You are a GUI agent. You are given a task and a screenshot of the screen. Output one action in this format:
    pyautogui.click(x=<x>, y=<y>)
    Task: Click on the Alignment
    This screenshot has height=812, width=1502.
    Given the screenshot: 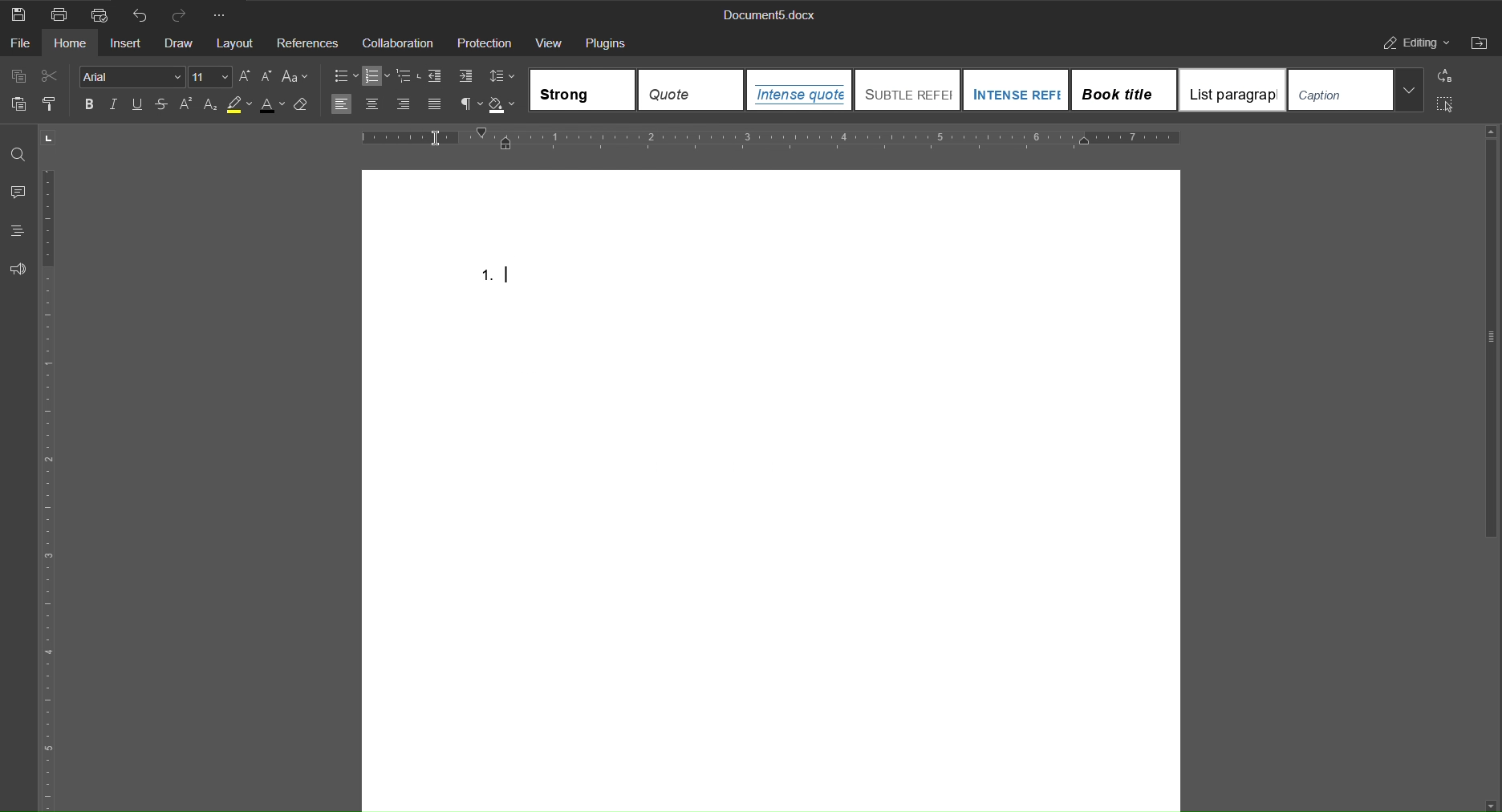 What is the action you would take?
    pyautogui.click(x=388, y=104)
    